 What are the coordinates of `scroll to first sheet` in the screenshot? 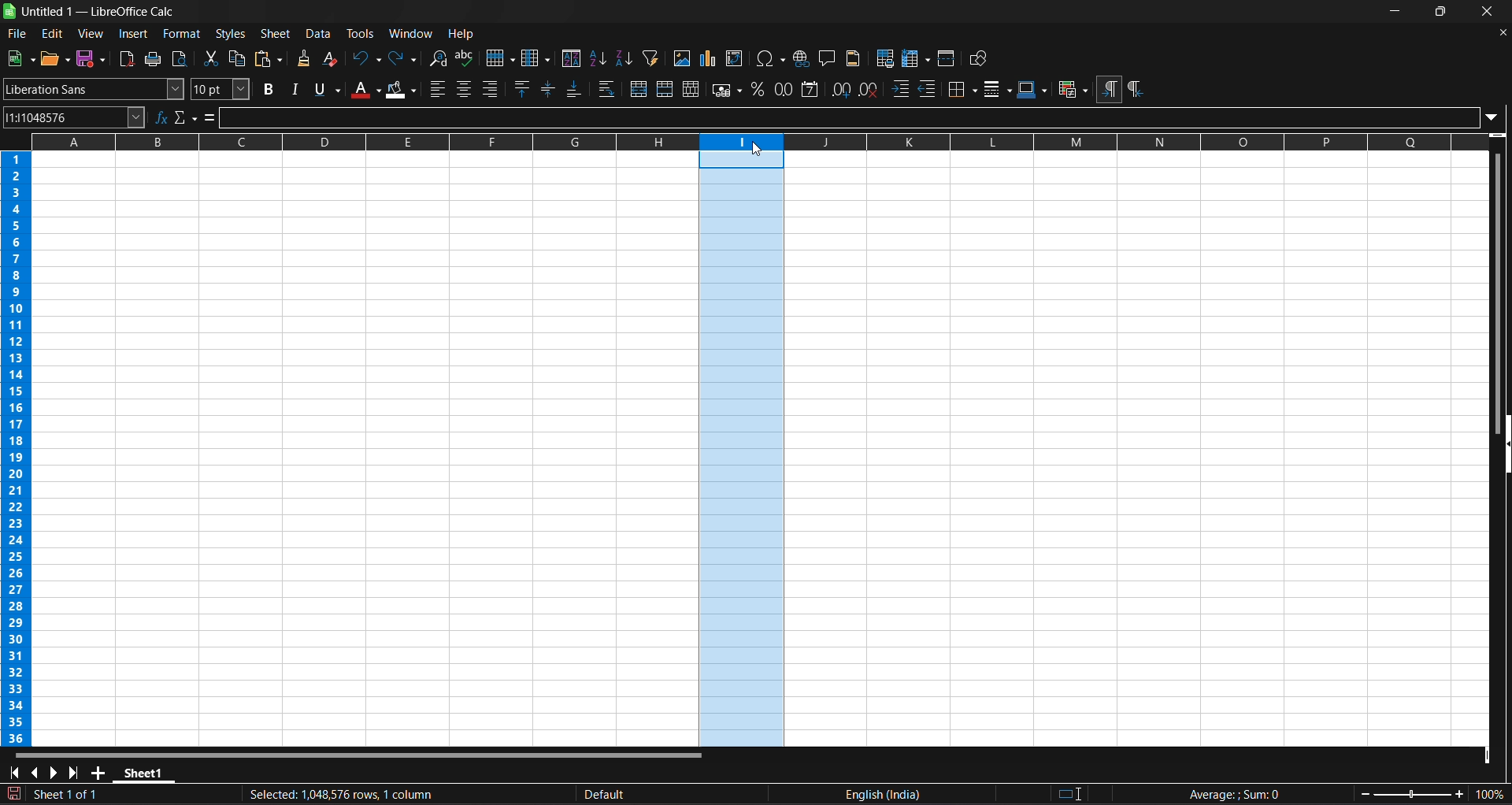 It's located at (13, 773).